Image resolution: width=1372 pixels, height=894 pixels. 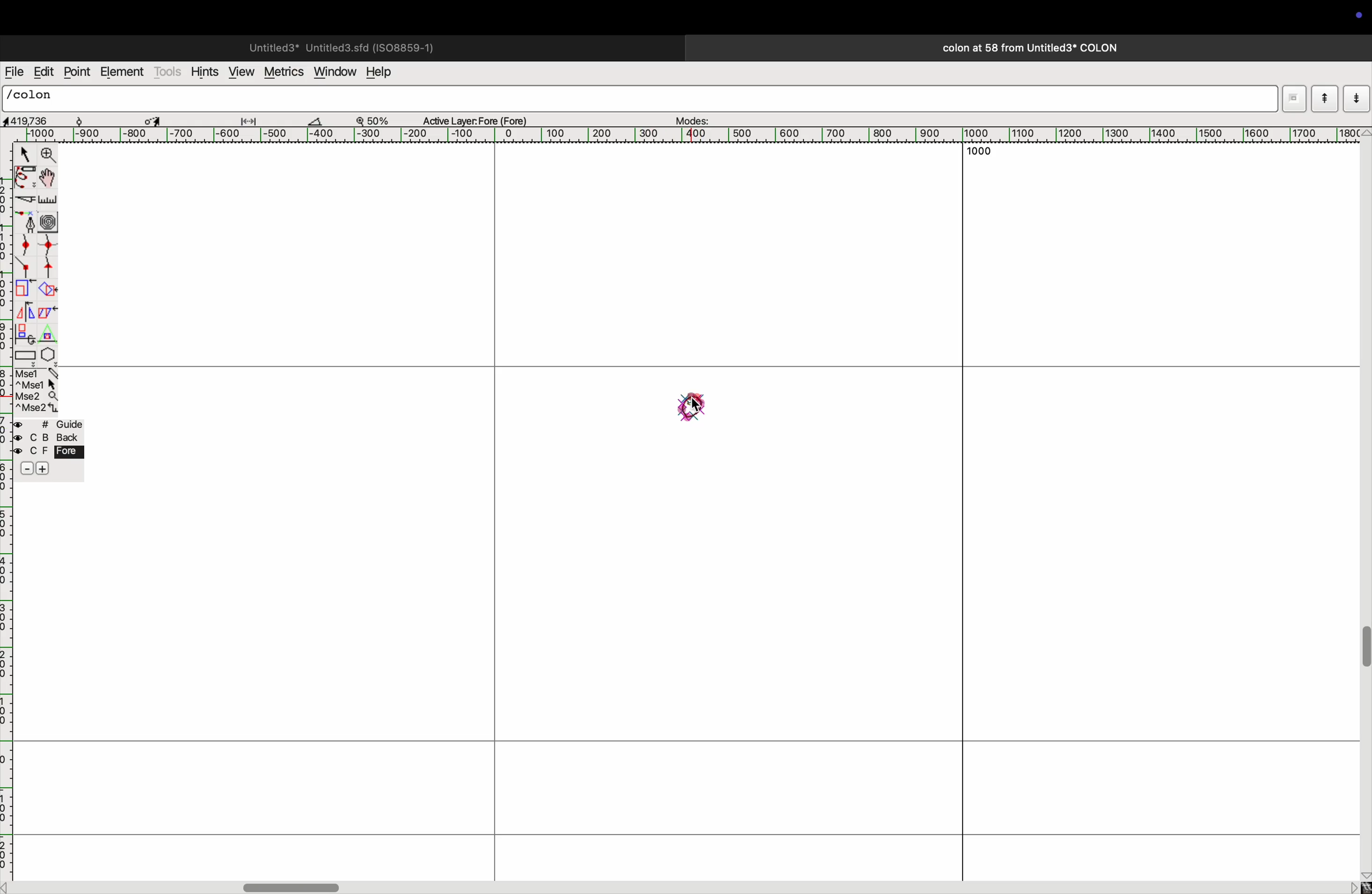 I want to click on spline, so click(x=39, y=256).